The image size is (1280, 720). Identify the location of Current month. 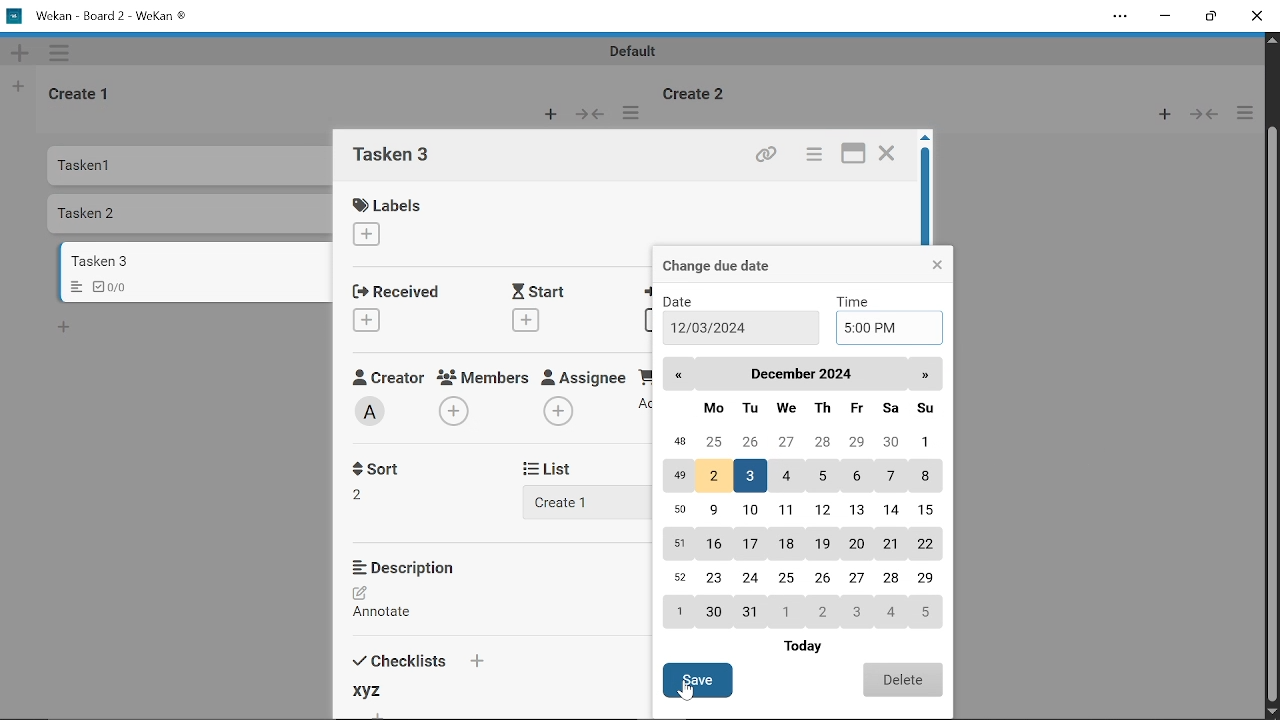
(800, 374).